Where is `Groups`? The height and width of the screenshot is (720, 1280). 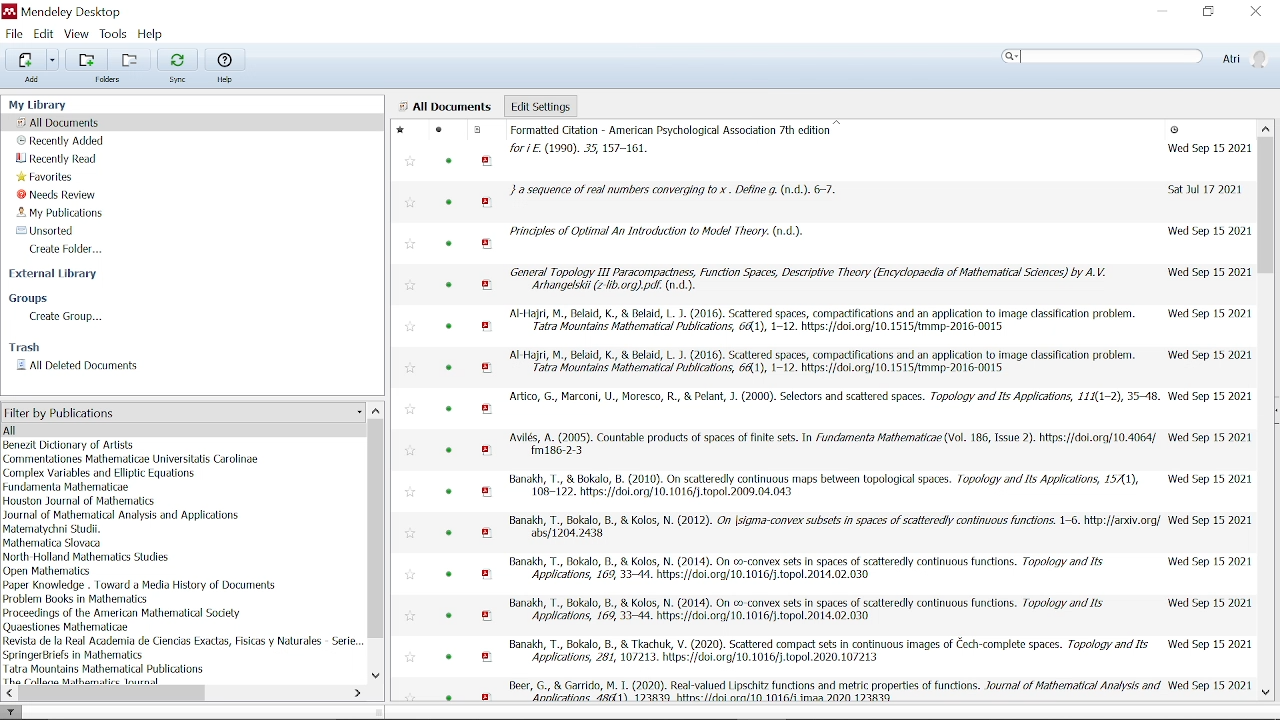
Groups is located at coordinates (33, 299).